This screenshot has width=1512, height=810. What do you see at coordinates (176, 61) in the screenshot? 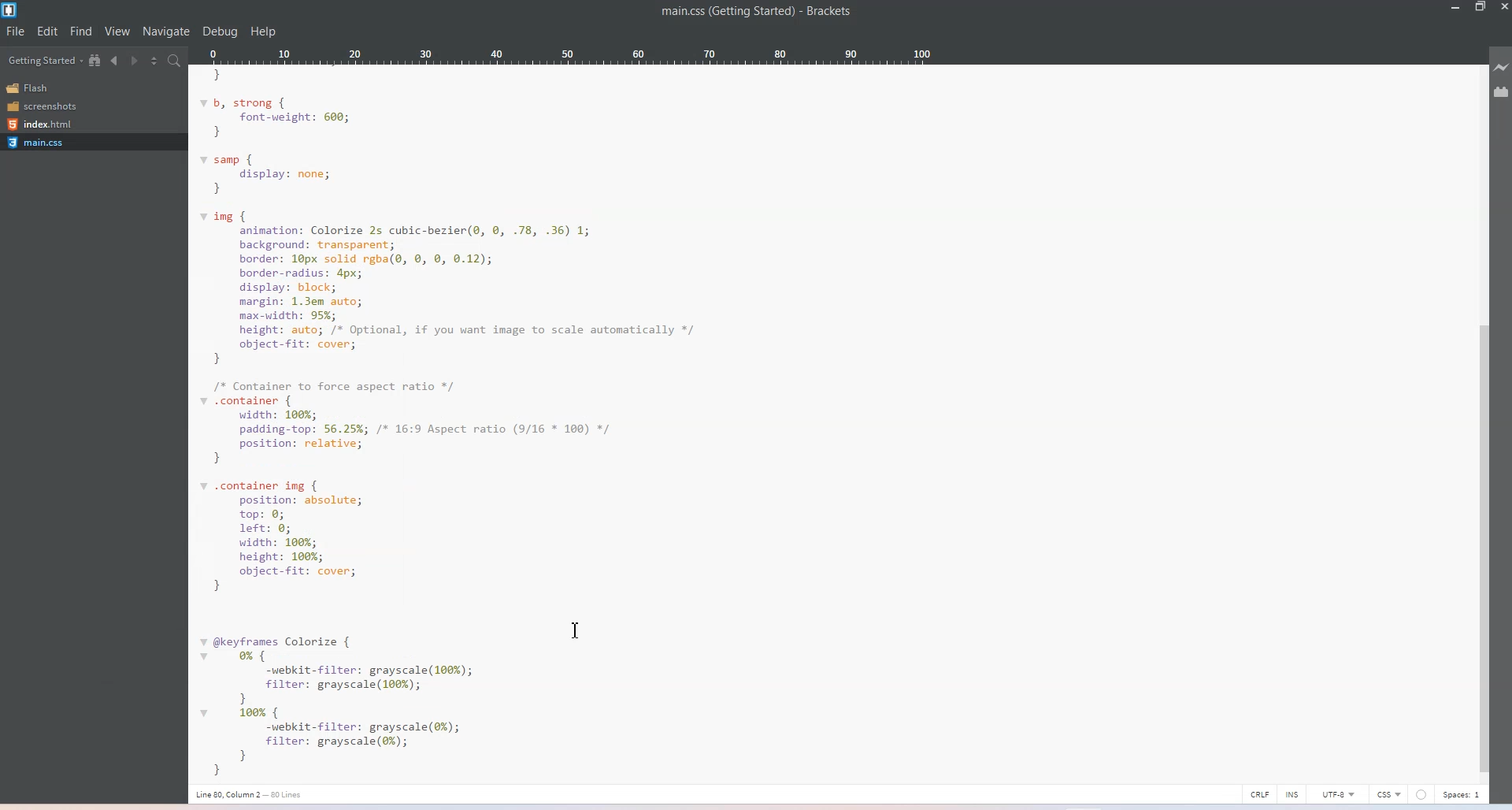
I see `Find in files` at bounding box center [176, 61].